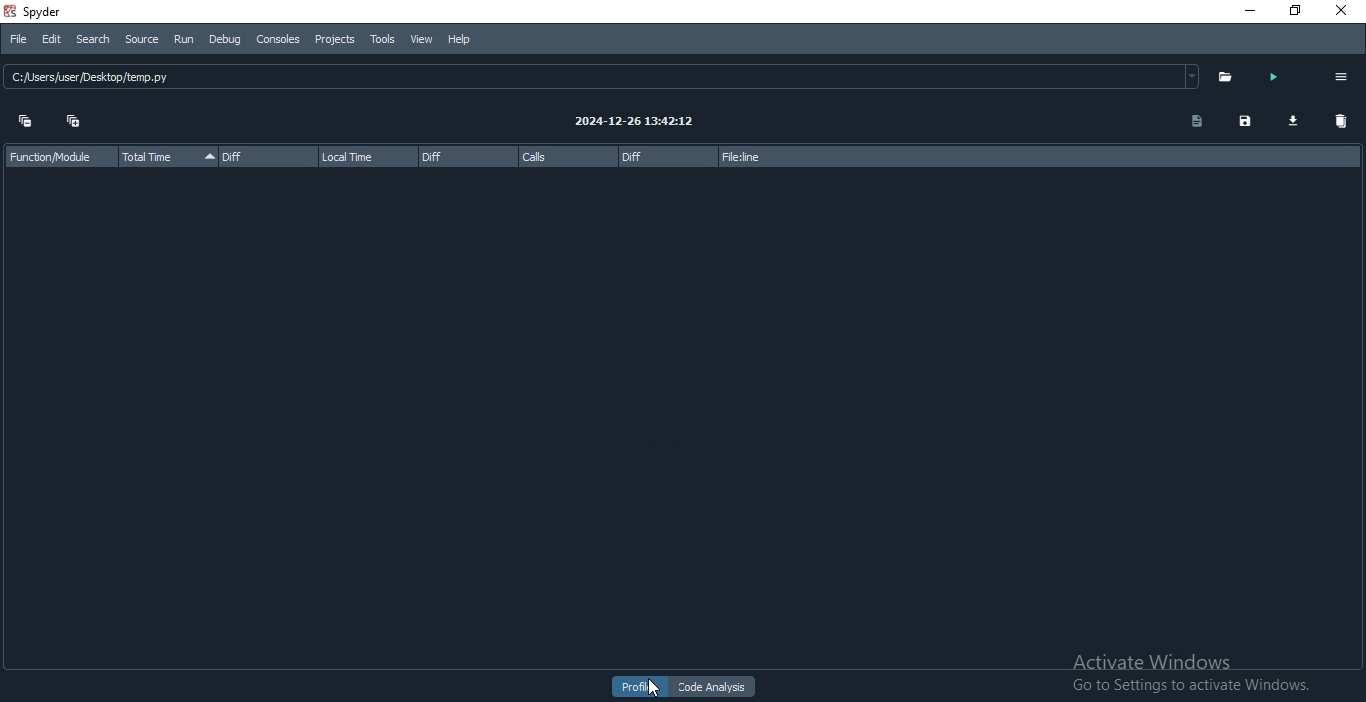  Describe the element at coordinates (654, 689) in the screenshot. I see `cursor on profile` at that location.